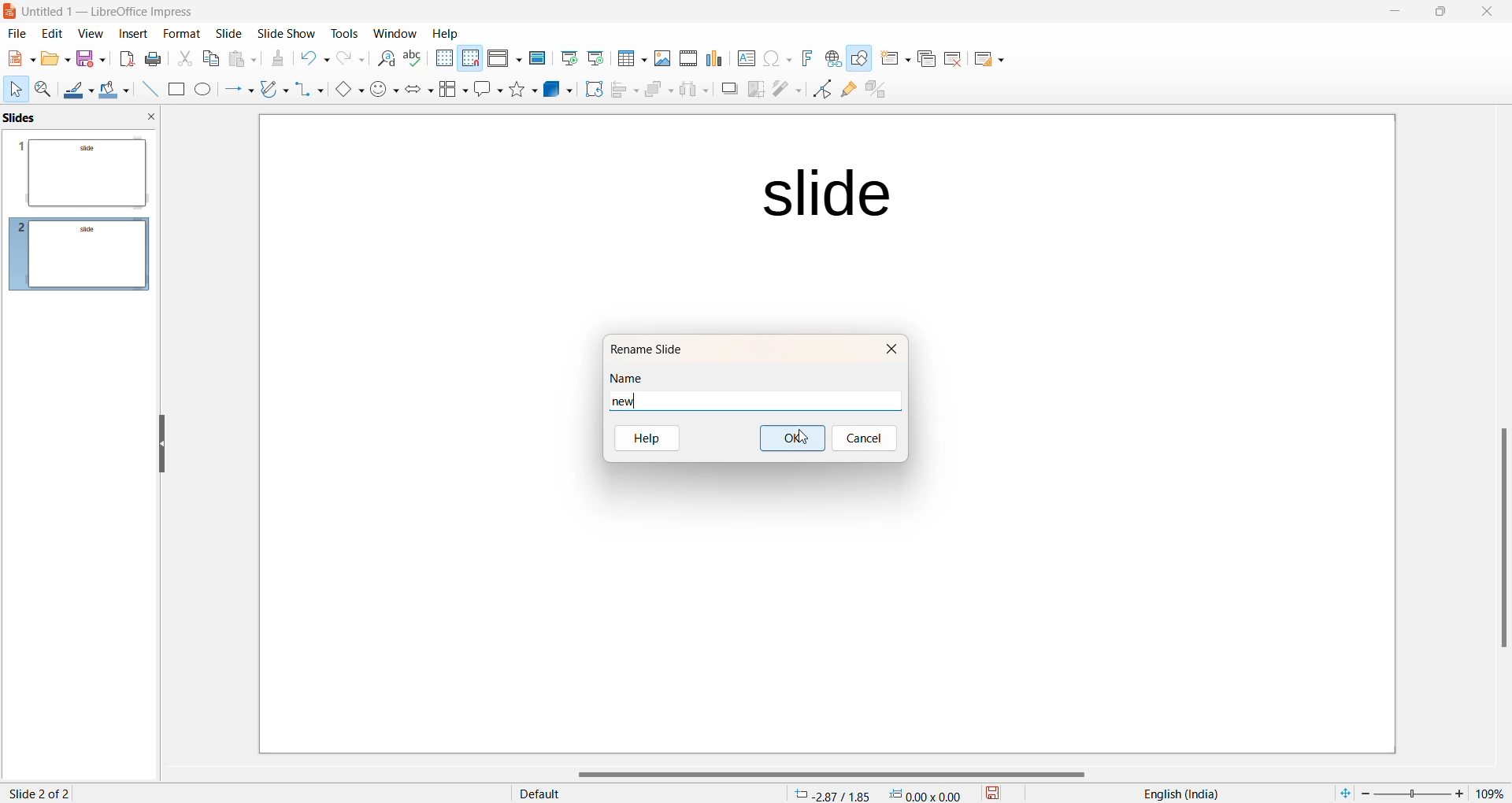 Image resolution: width=1512 pixels, height=803 pixels. Describe the element at coordinates (451, 90) in the screenshot. I see `Flow chart` at that location.